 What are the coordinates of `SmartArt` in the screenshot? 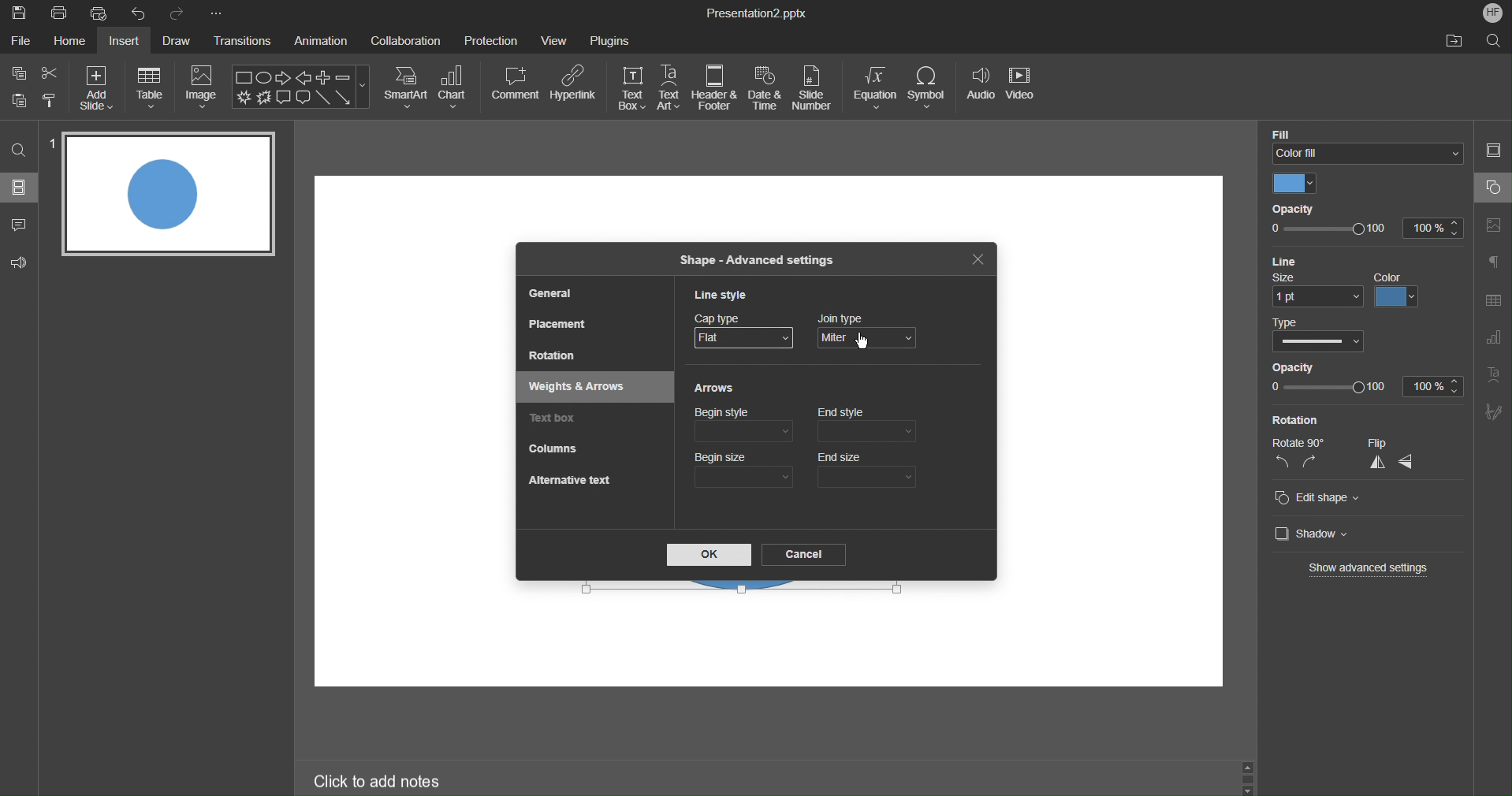 It's located at (406, 87).